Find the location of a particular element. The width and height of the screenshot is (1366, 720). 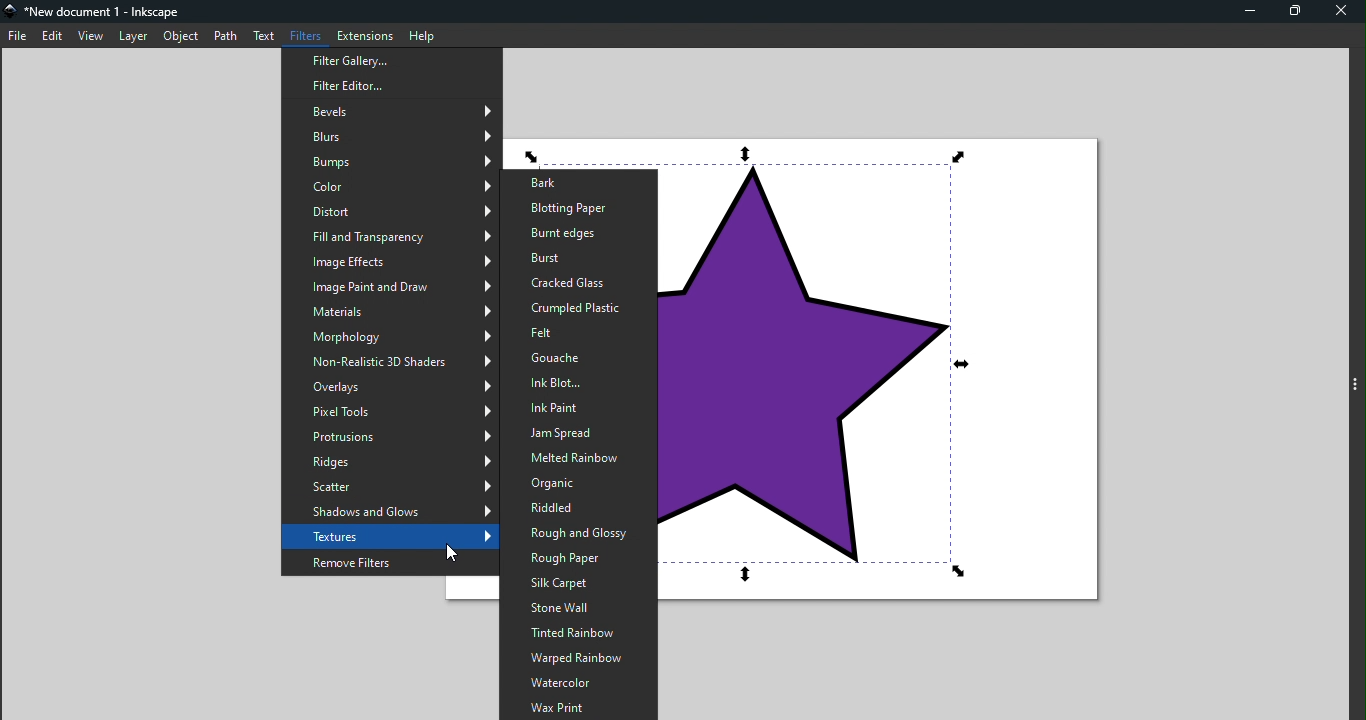

Gouache is located at coordinates (578, 357).